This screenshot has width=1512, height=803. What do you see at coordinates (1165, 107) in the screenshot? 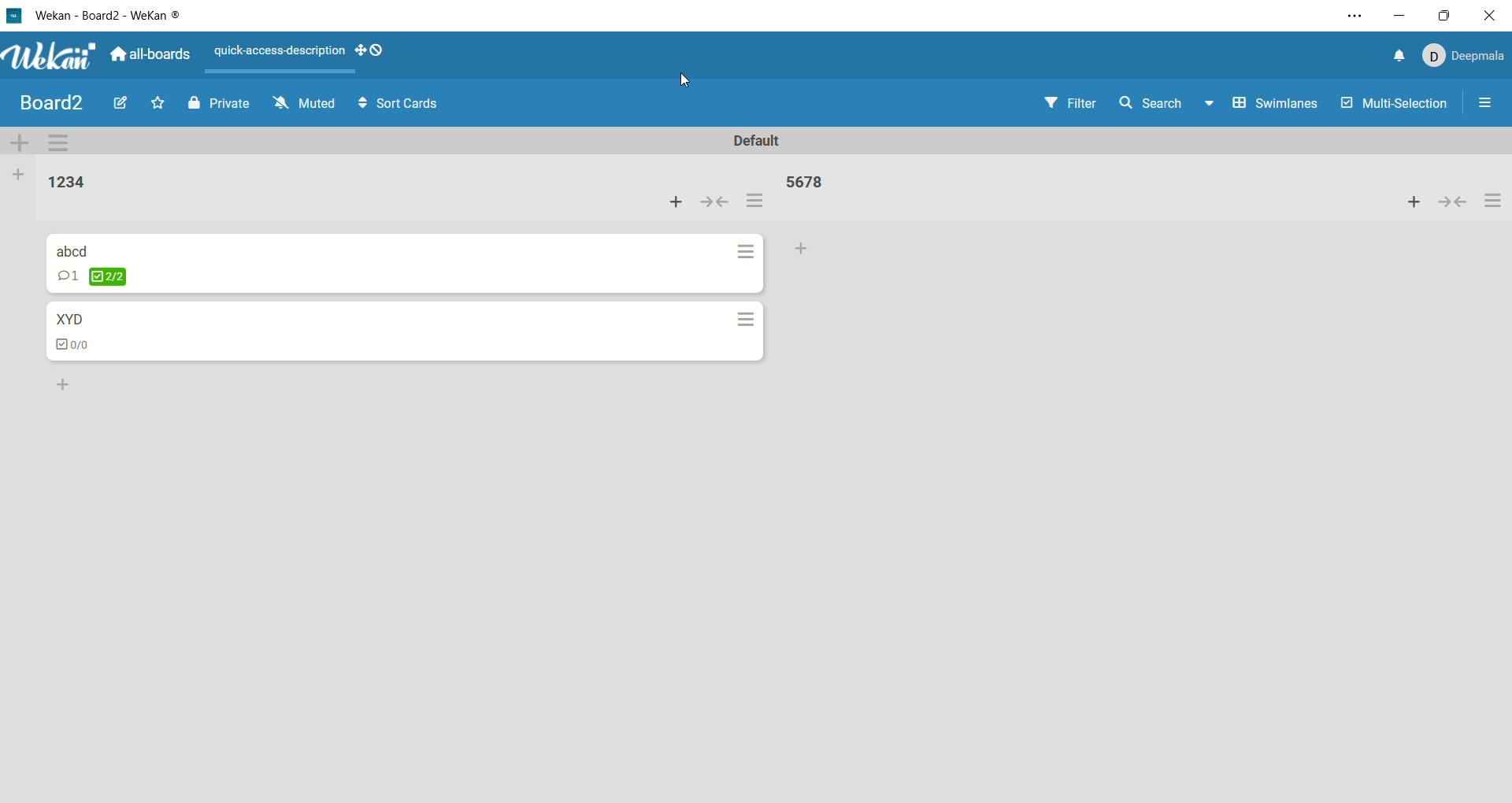
I see `search` at bounding box center [1165, 107].